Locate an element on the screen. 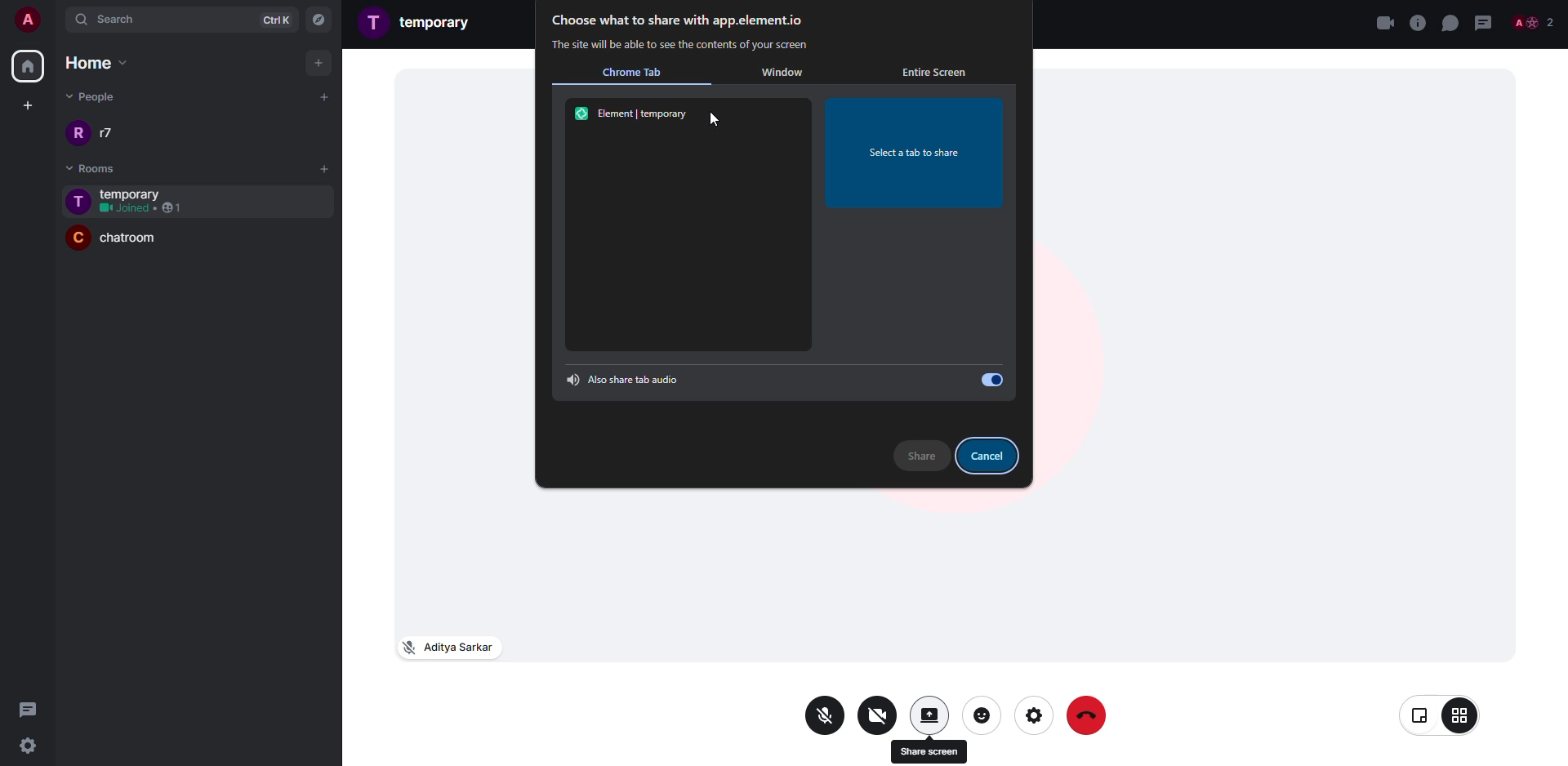  add is located at coordinates (321, 96).